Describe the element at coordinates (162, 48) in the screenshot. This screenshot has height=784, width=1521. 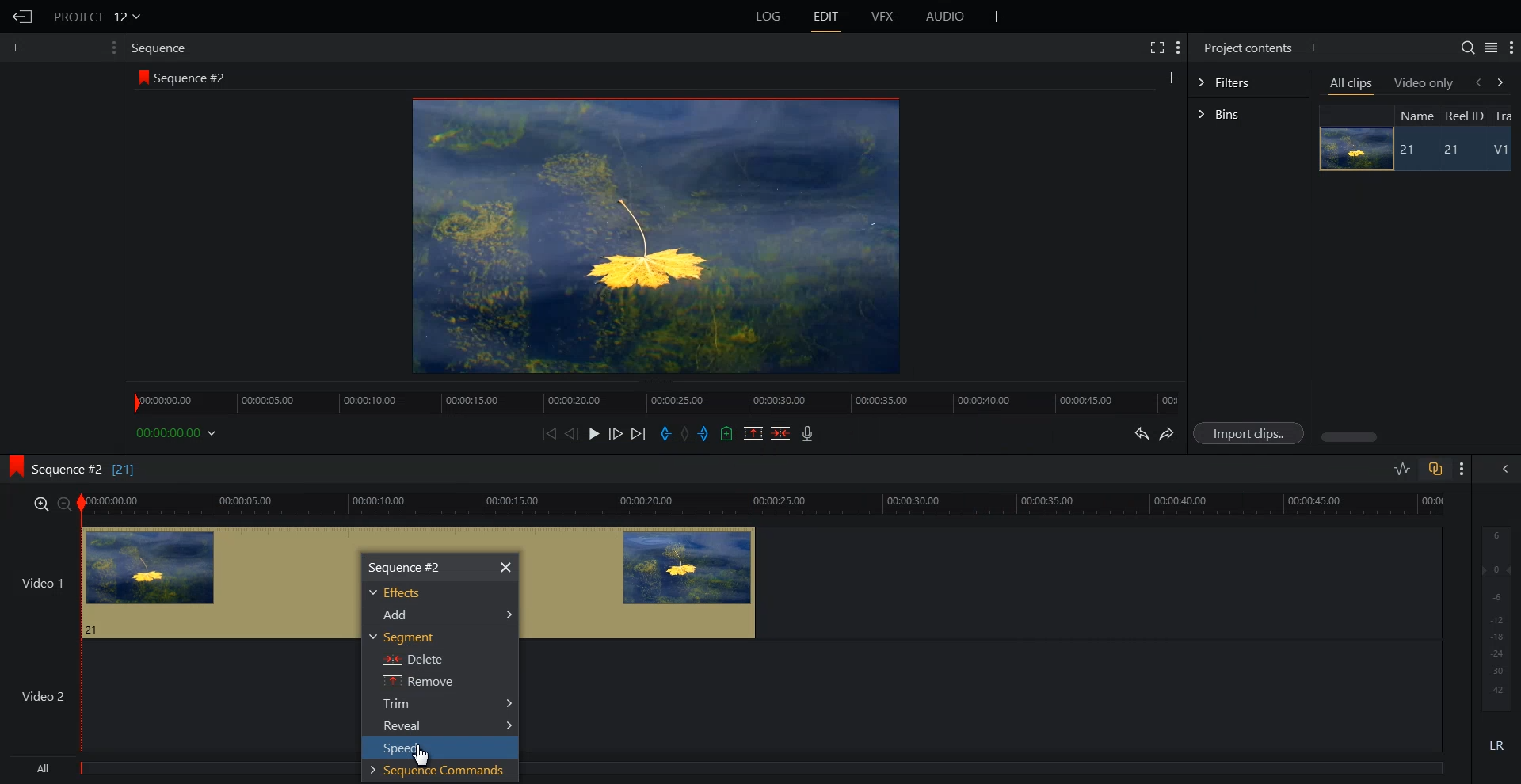
I see `Sequence` at that location.